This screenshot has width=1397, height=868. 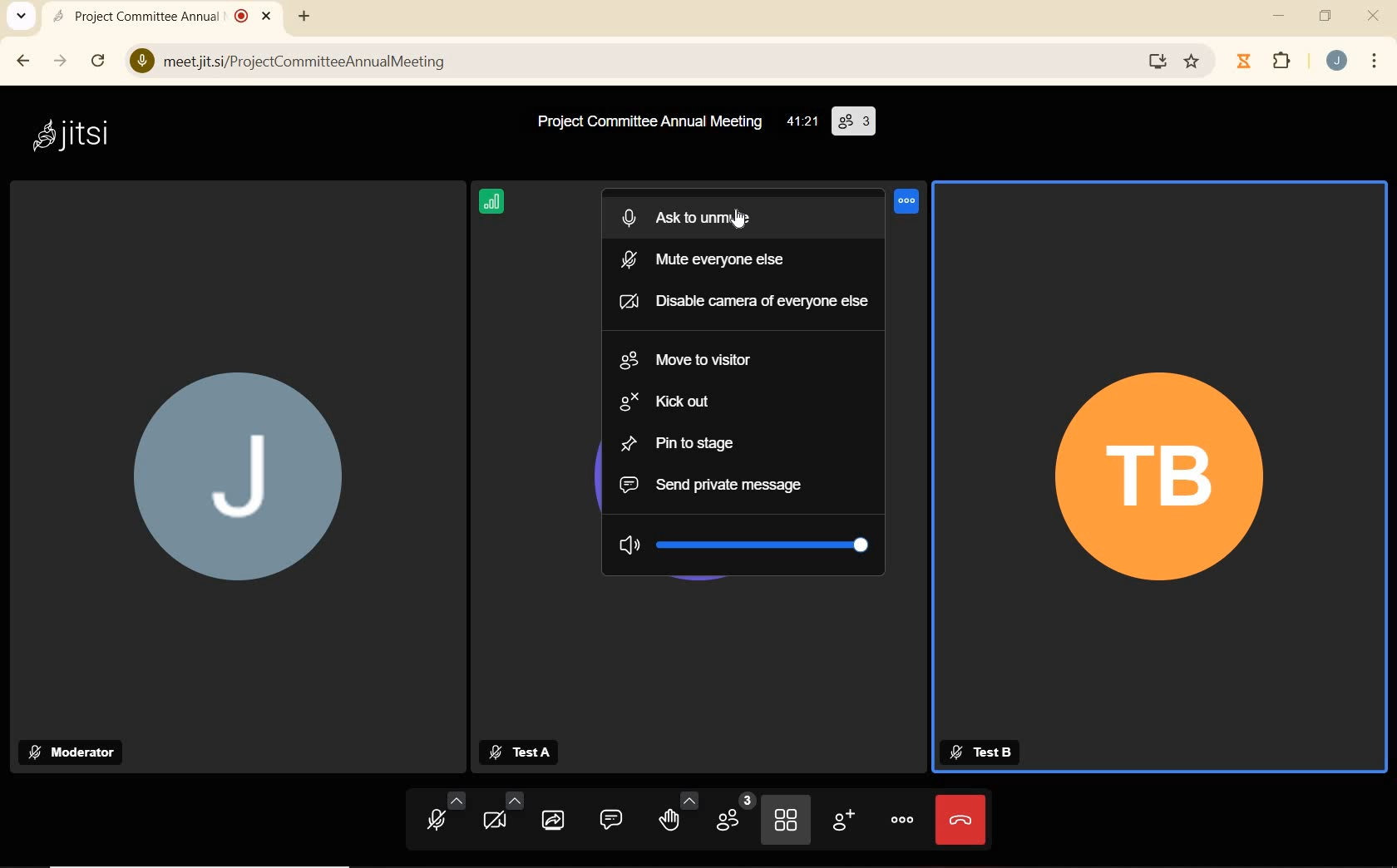 What do you see at coordinates (630, 64) in the screenshot?
I see `meetjitsi/ProjectCommitteeAnnualMeeting` at bounding box center [630, 64].